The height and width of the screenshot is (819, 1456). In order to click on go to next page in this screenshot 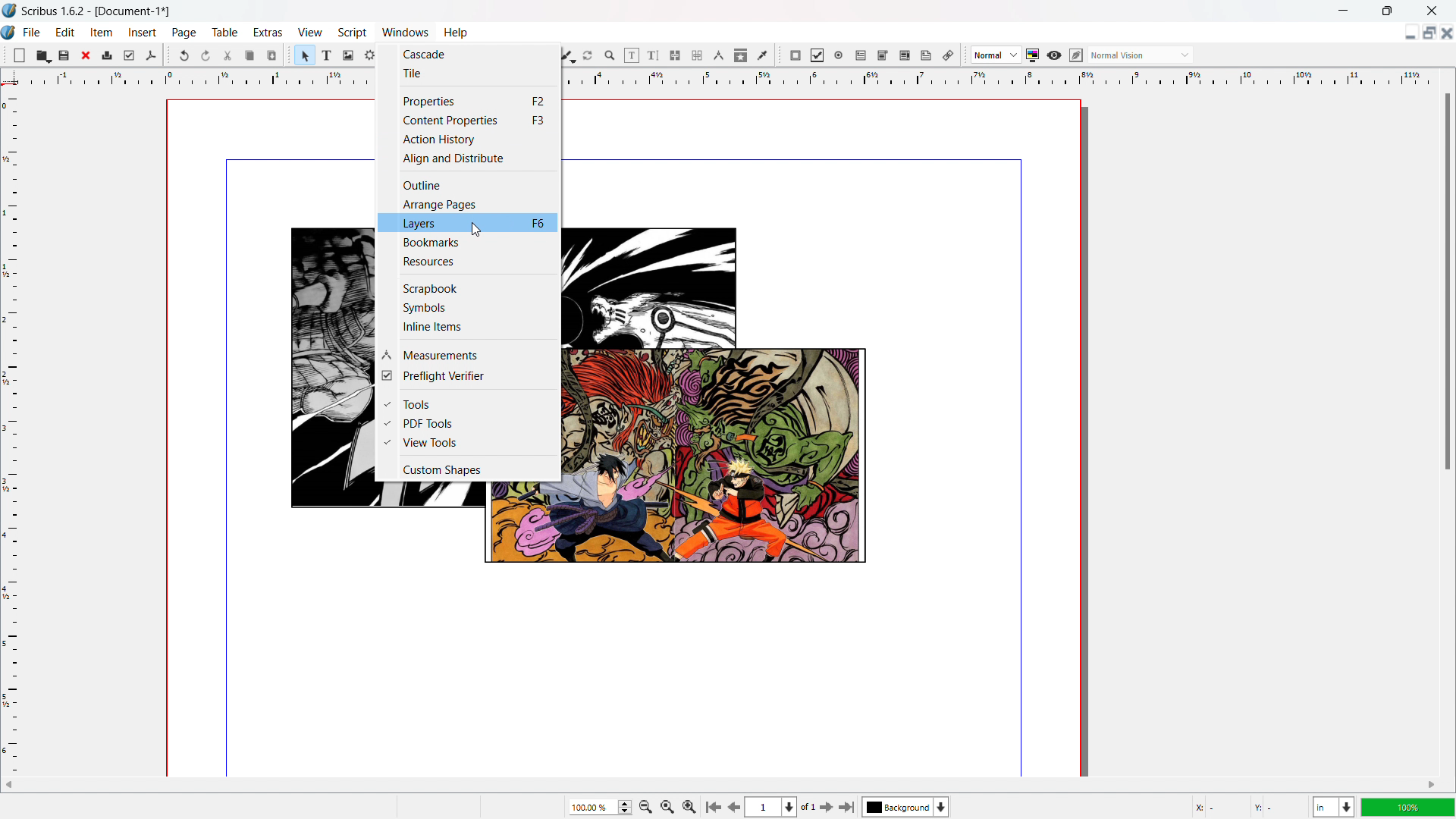, I will do `click(826, 807)`.